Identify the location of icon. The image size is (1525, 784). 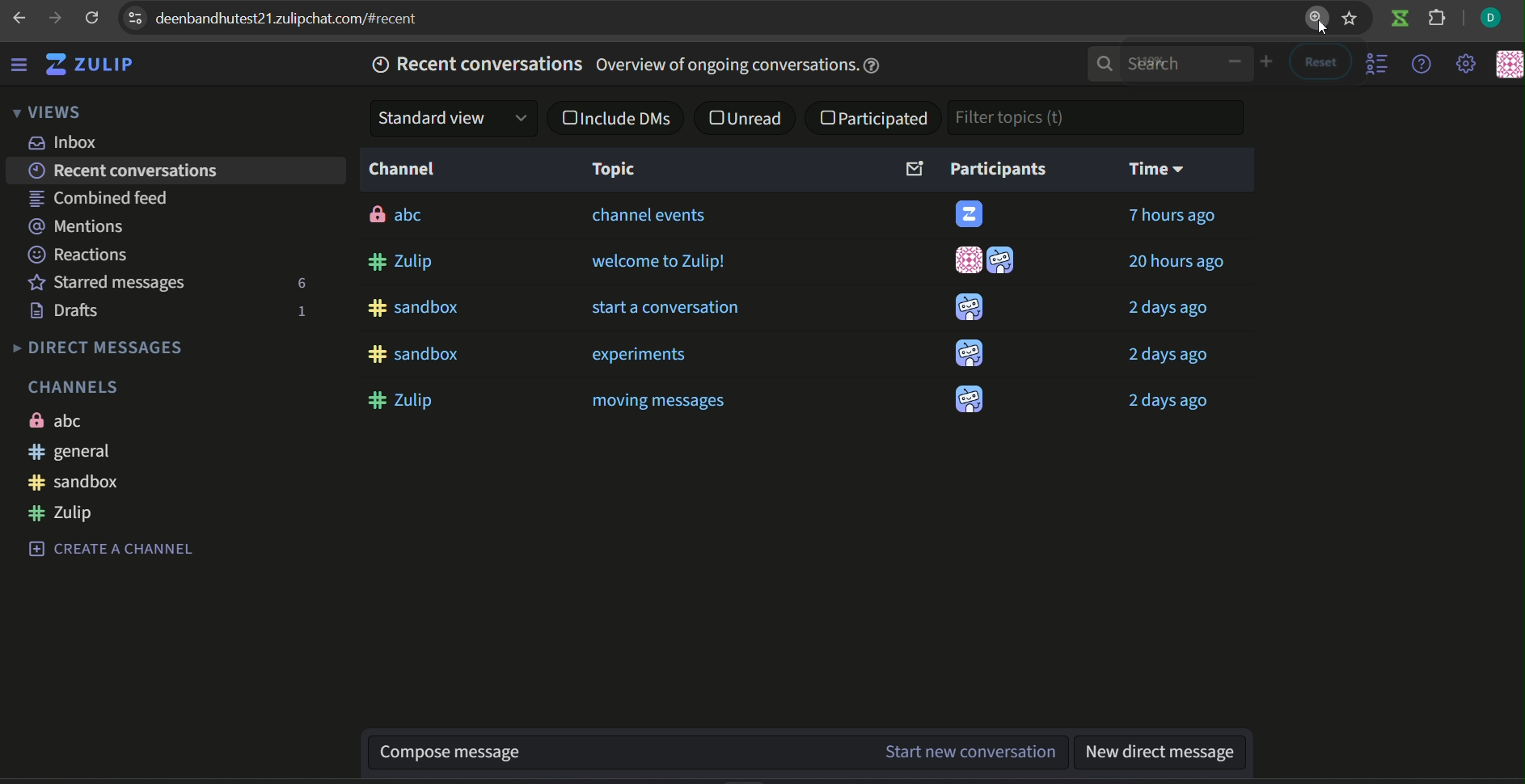
(969, 307).